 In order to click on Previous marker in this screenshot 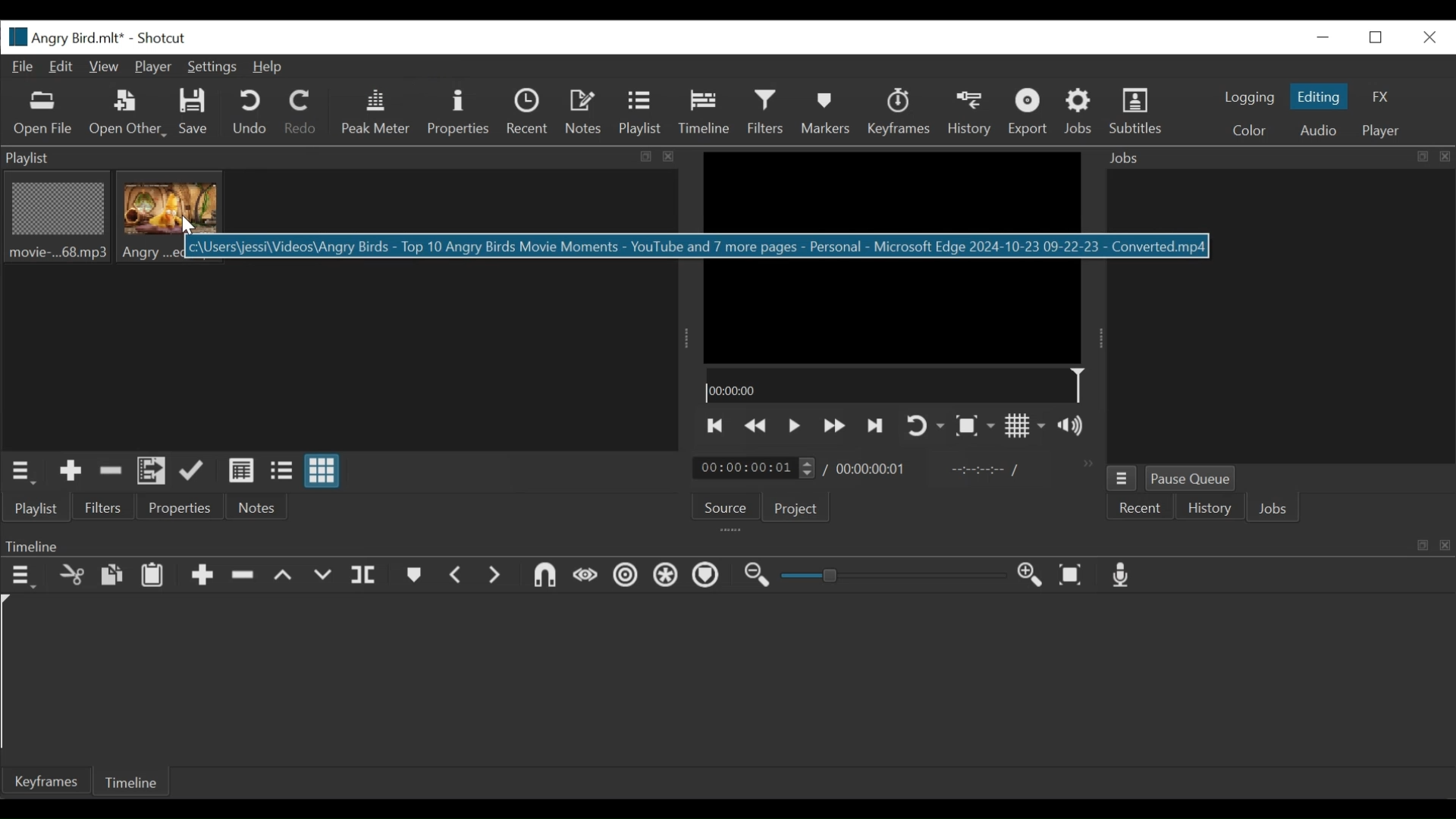, I will do `click(458, 576)`.